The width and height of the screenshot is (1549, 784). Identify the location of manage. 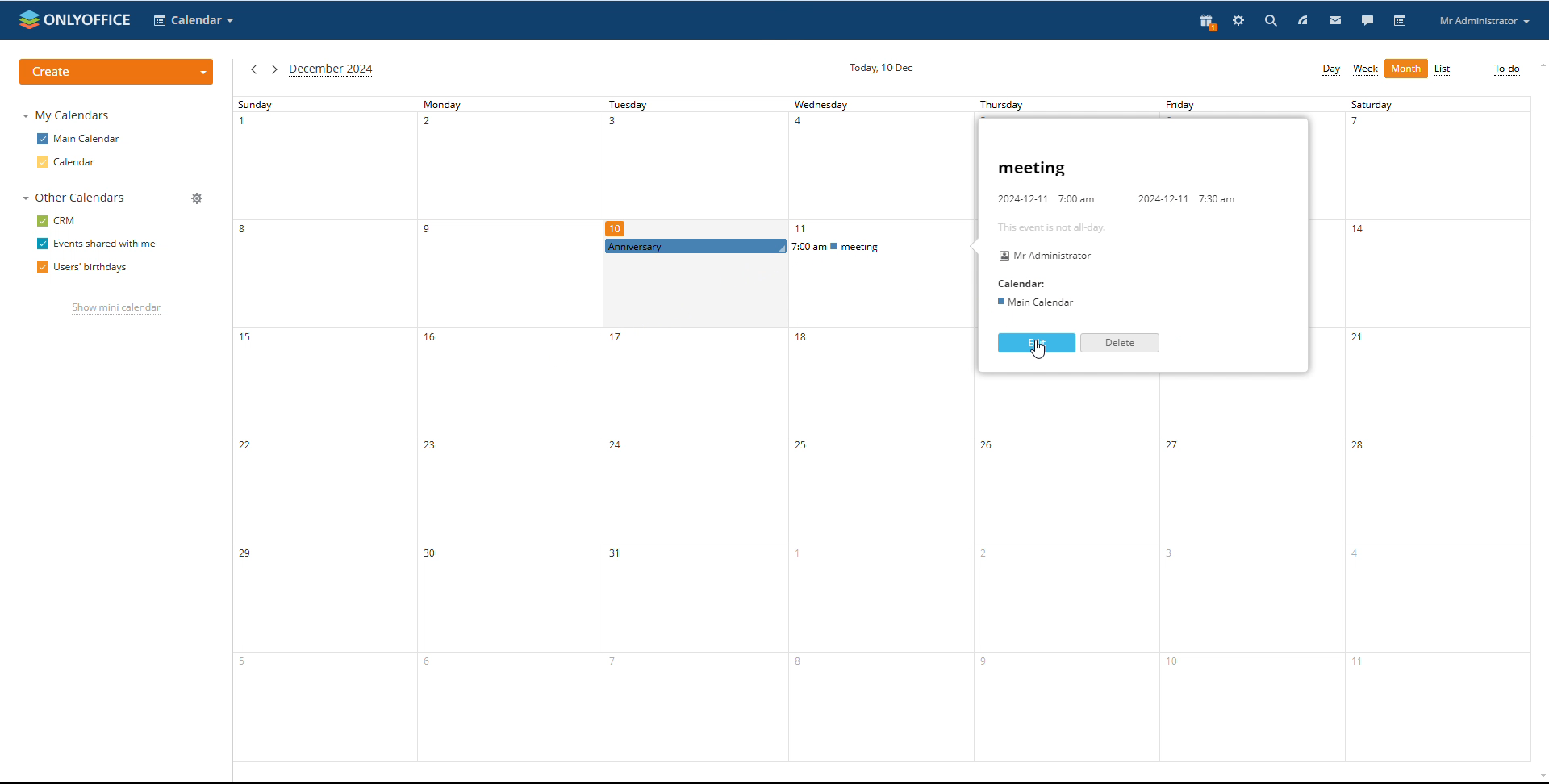
(198, 199).